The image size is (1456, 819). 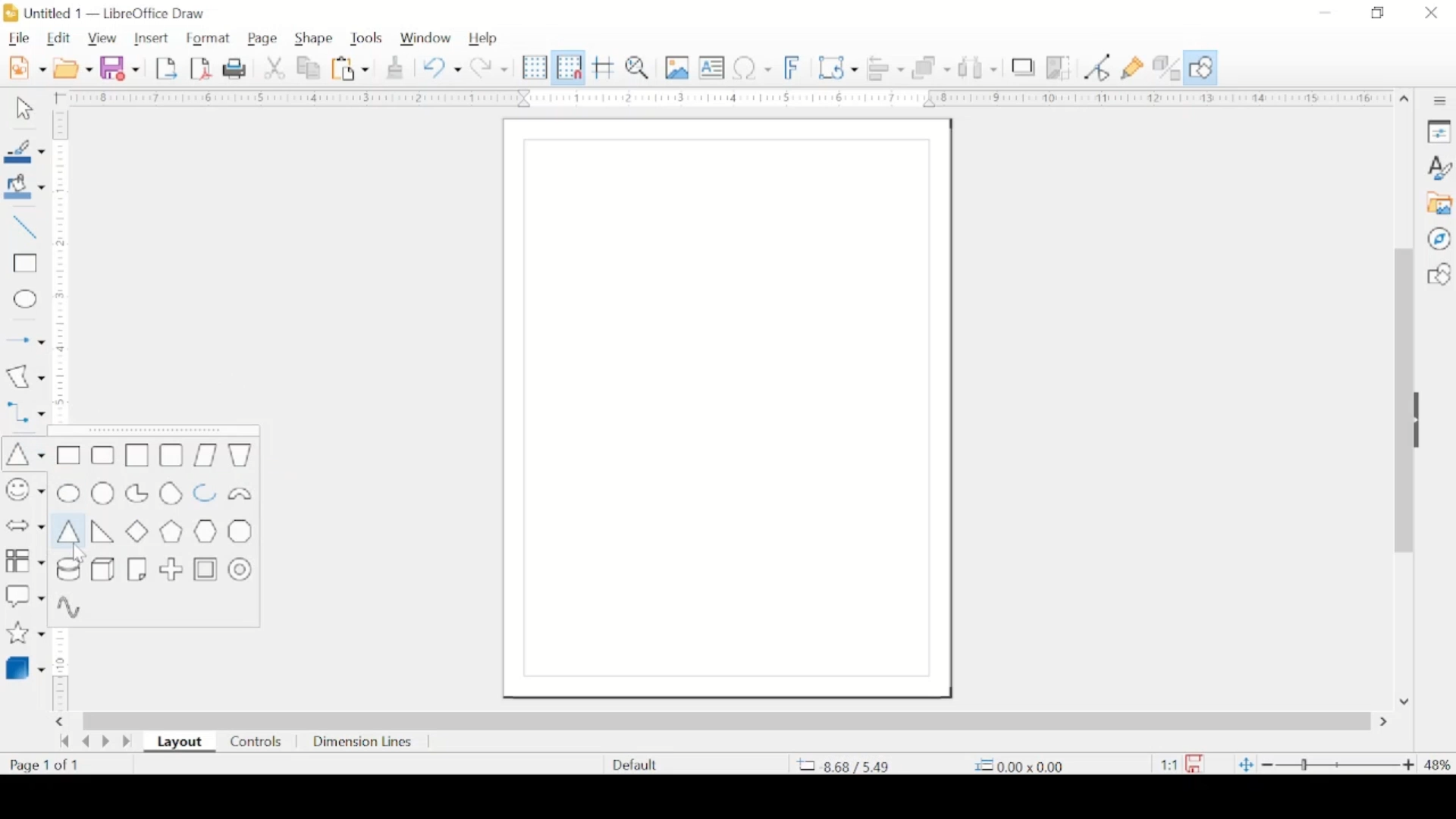 I want to click on scroll right, so click(x=62, y=721).